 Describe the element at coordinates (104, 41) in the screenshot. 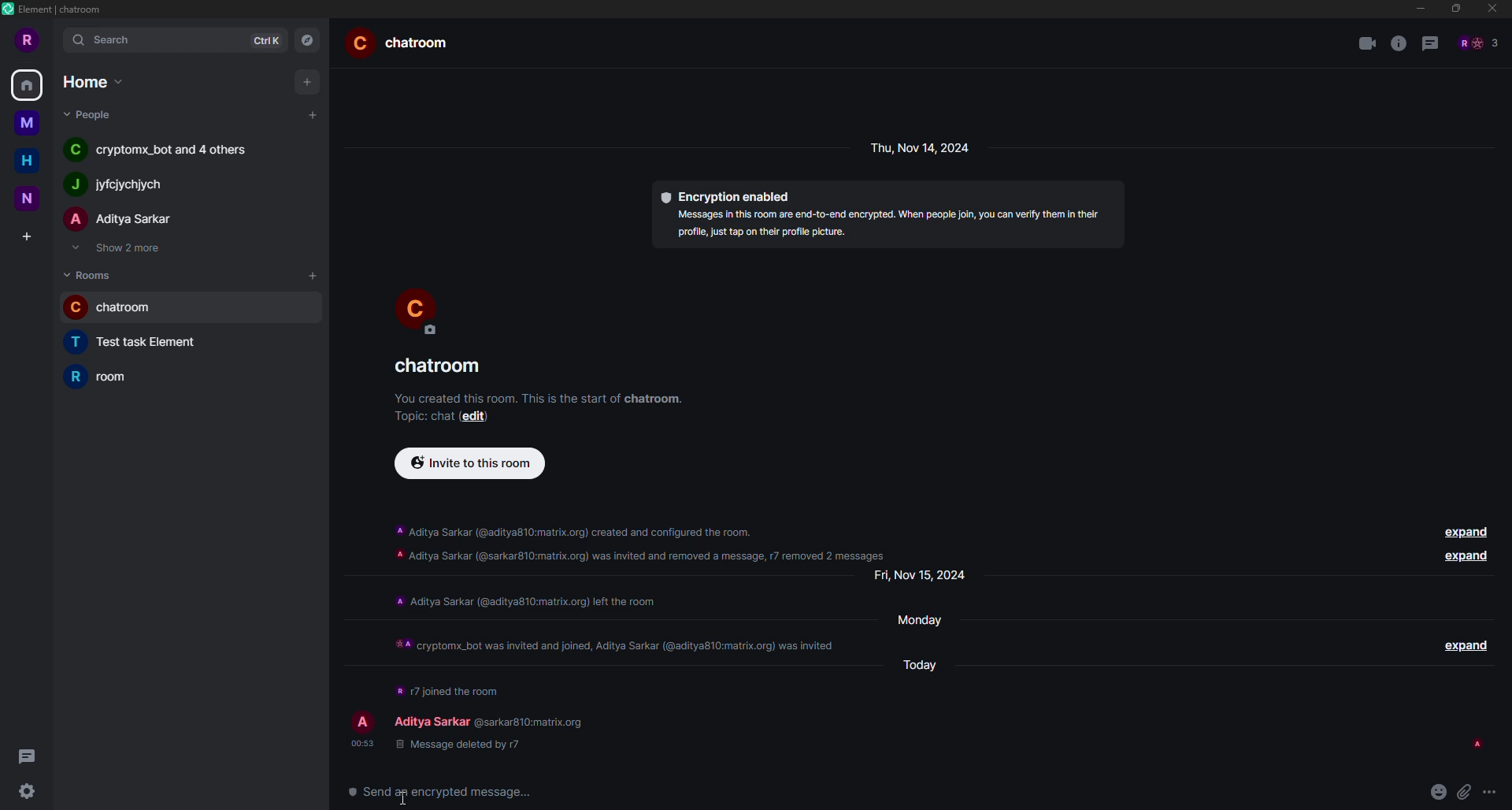

I see `search` at that location.